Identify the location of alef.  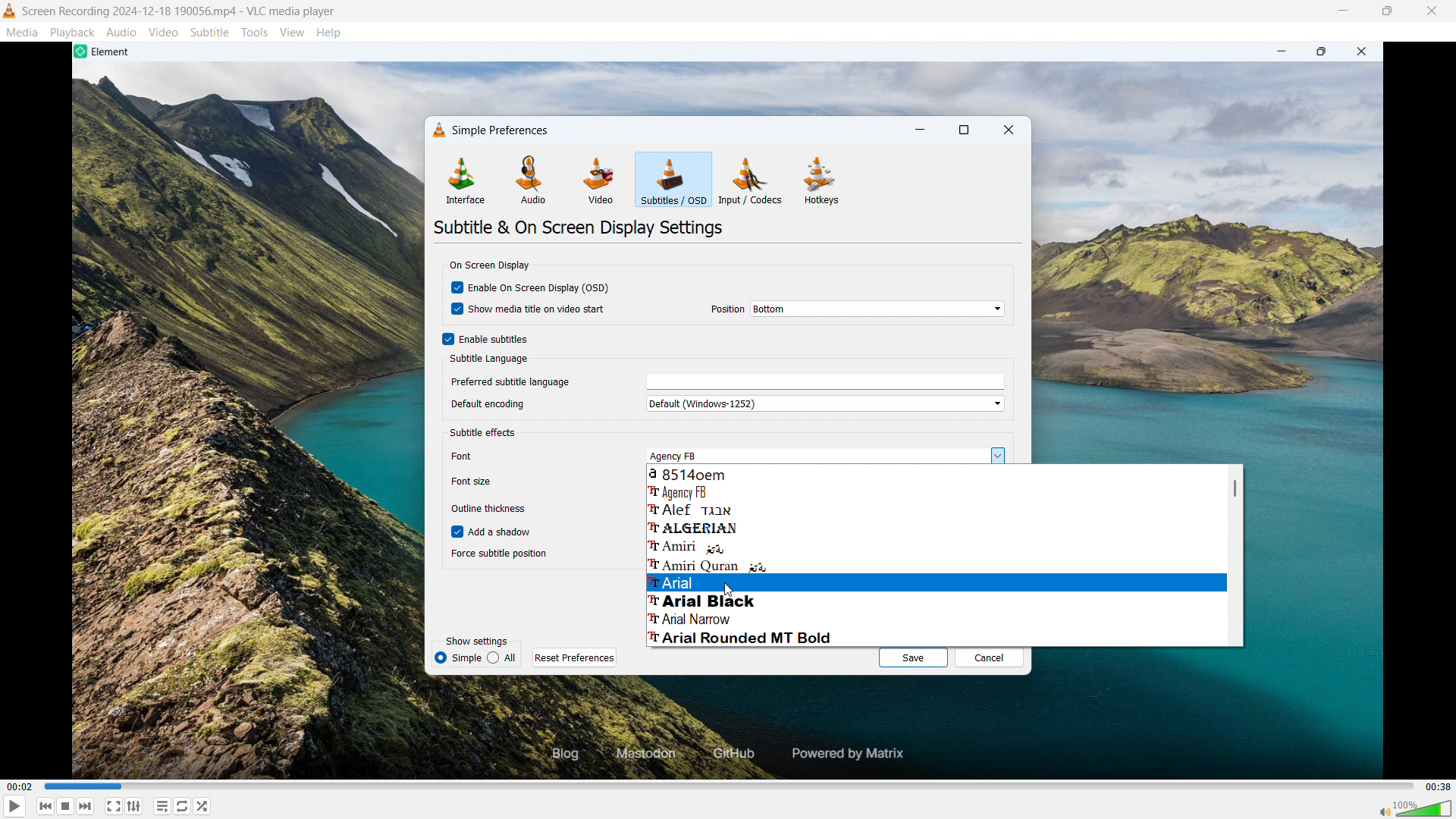
(937, 510).